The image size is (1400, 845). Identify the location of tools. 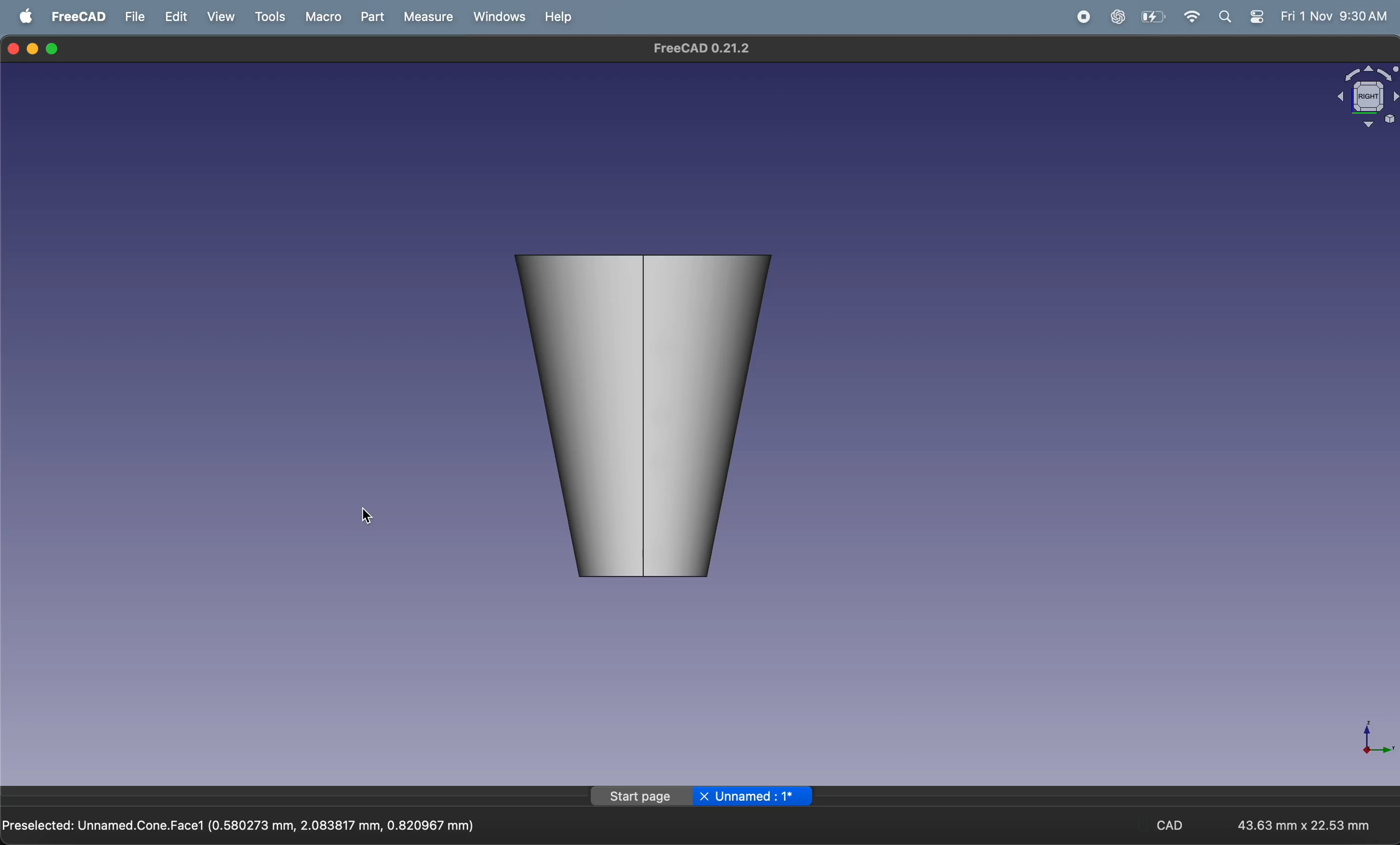
(270, 16).